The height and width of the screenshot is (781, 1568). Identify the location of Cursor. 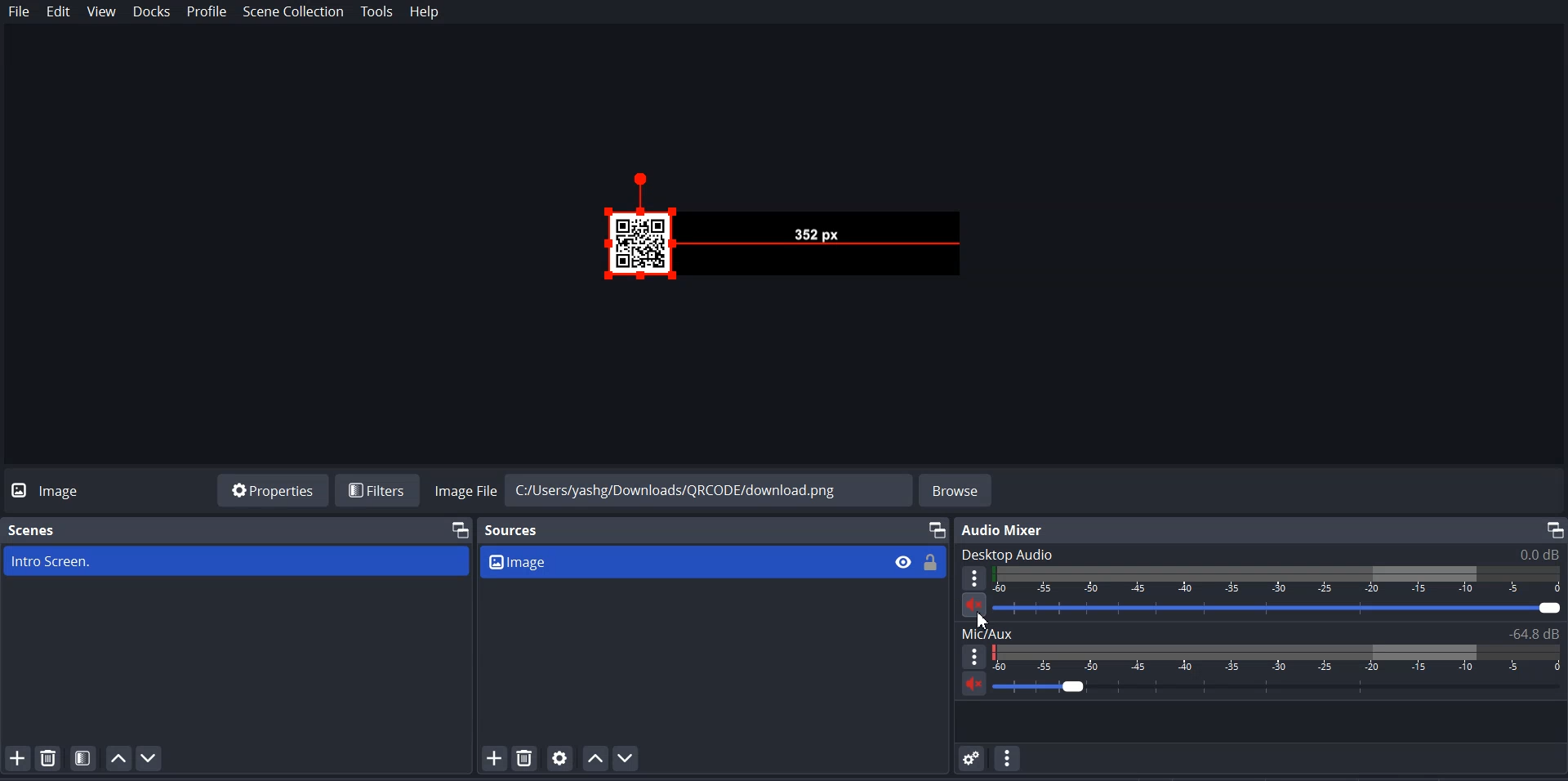
(983, 618).